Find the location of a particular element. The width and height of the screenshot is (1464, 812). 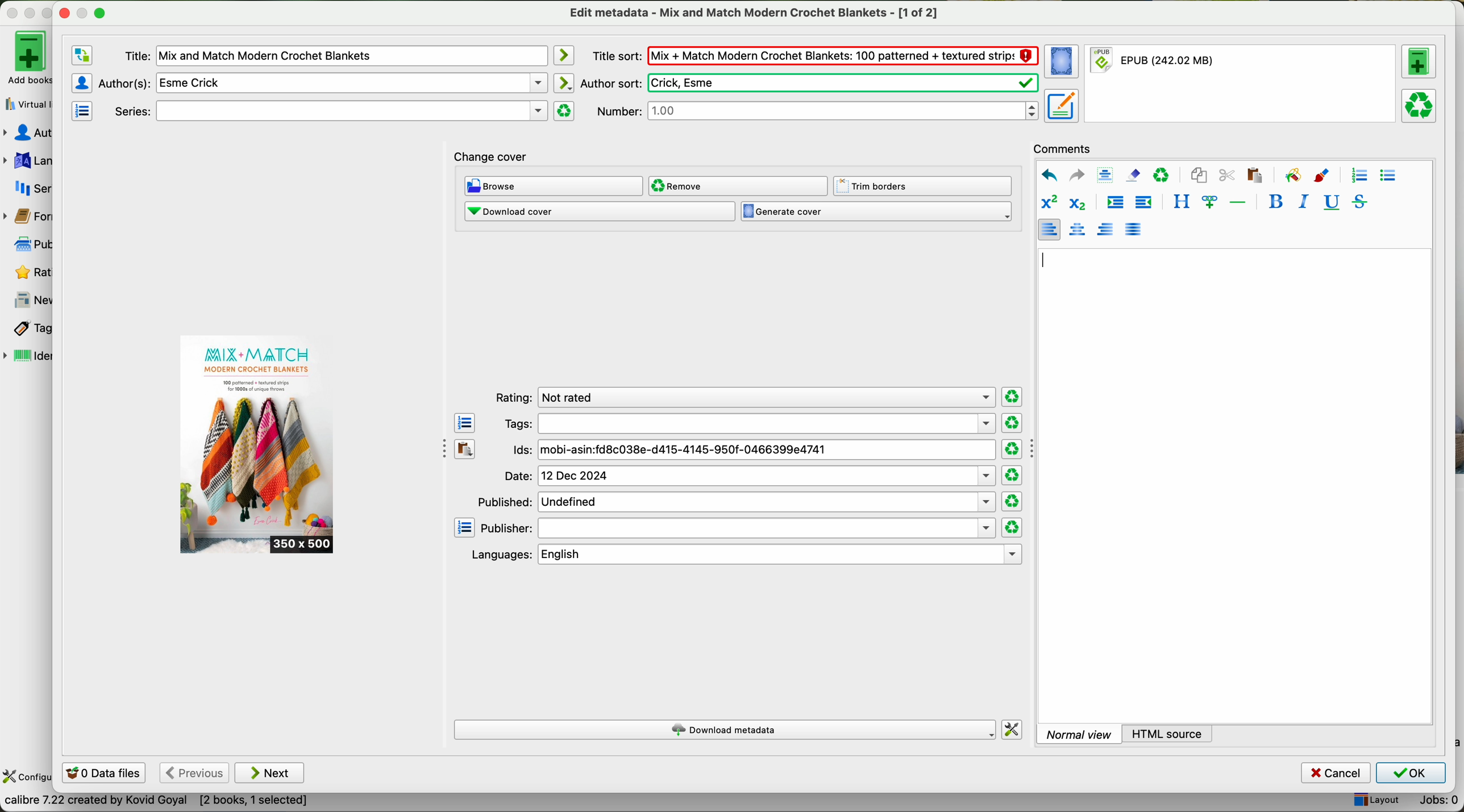

insert separator is located at coordinates (1239, 201).